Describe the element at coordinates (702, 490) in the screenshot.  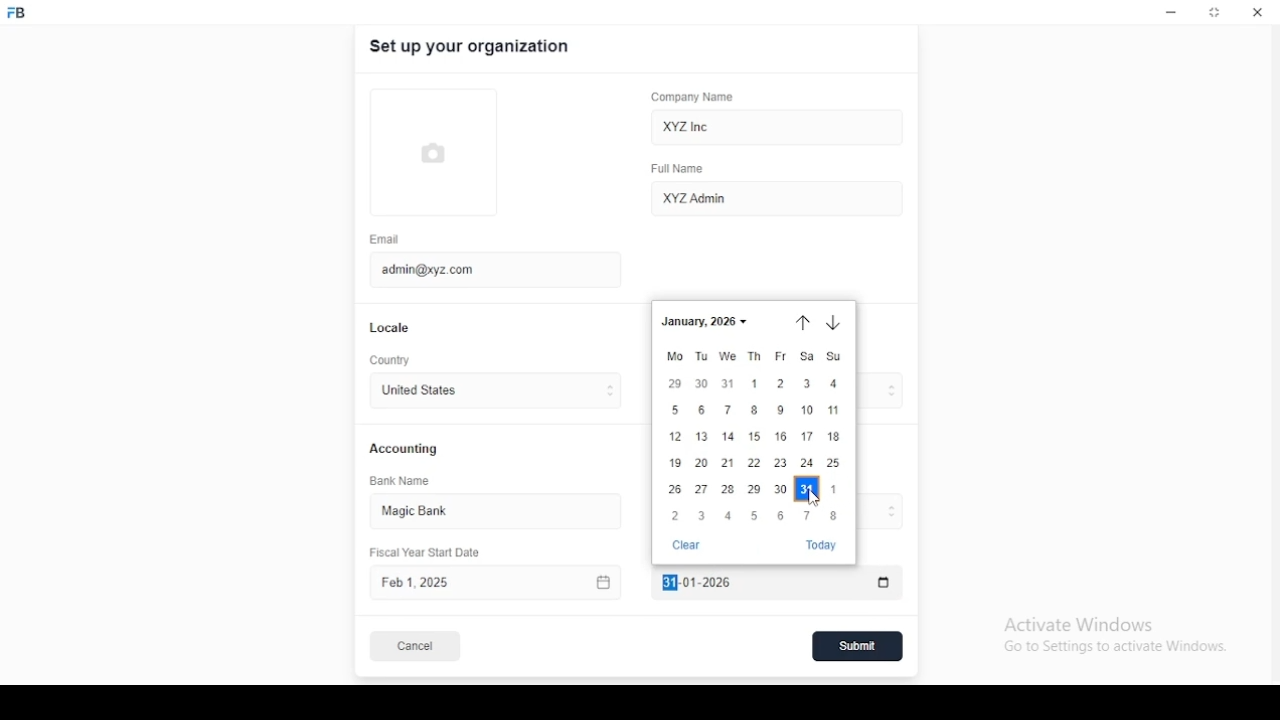
I see `27` at that location.